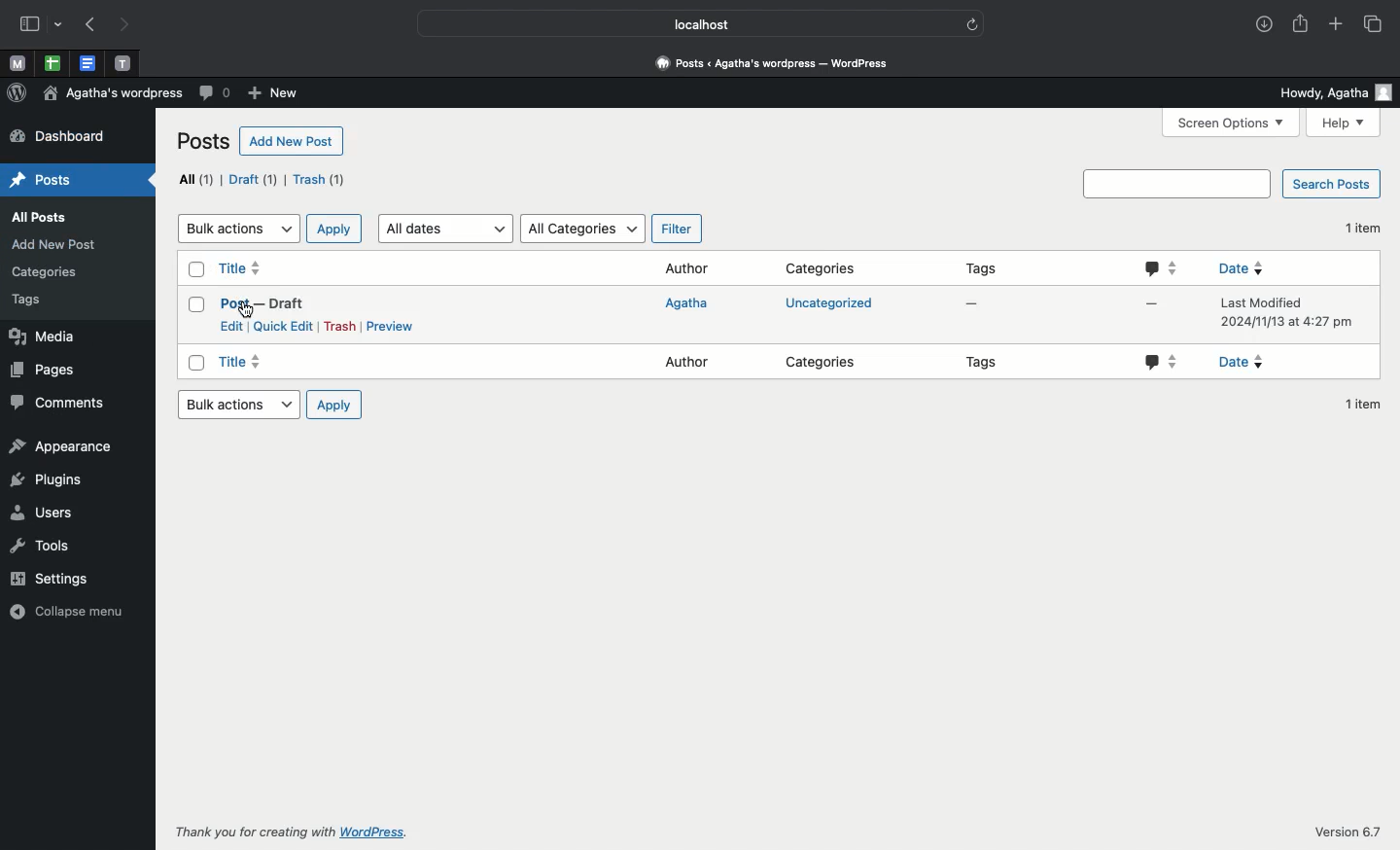 The height and width of the screenshot is (850, 1400). I want to click on -, so click(1152, 304).